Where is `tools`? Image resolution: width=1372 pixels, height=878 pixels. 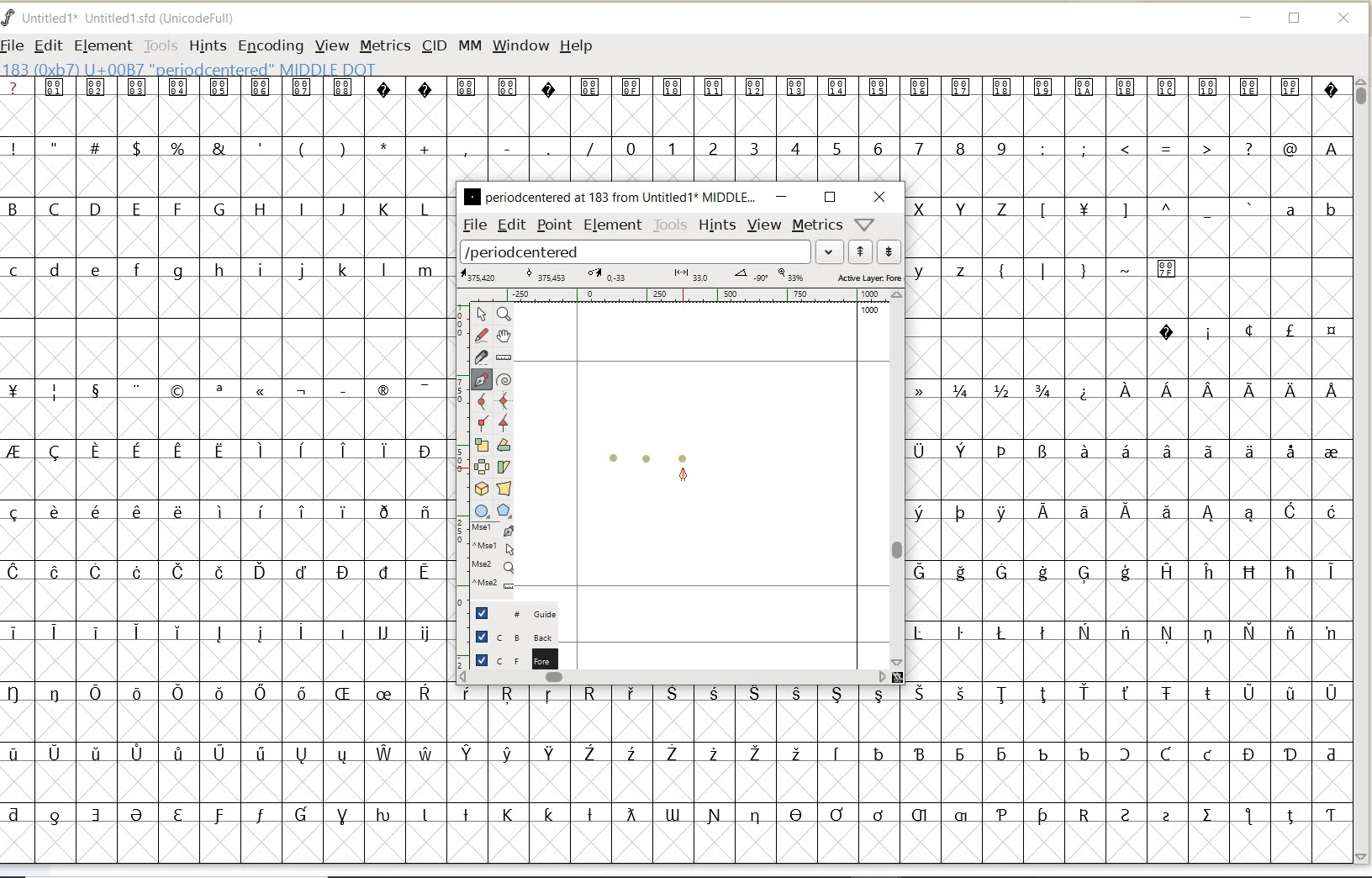 tools is located at coordinates (670, 225).